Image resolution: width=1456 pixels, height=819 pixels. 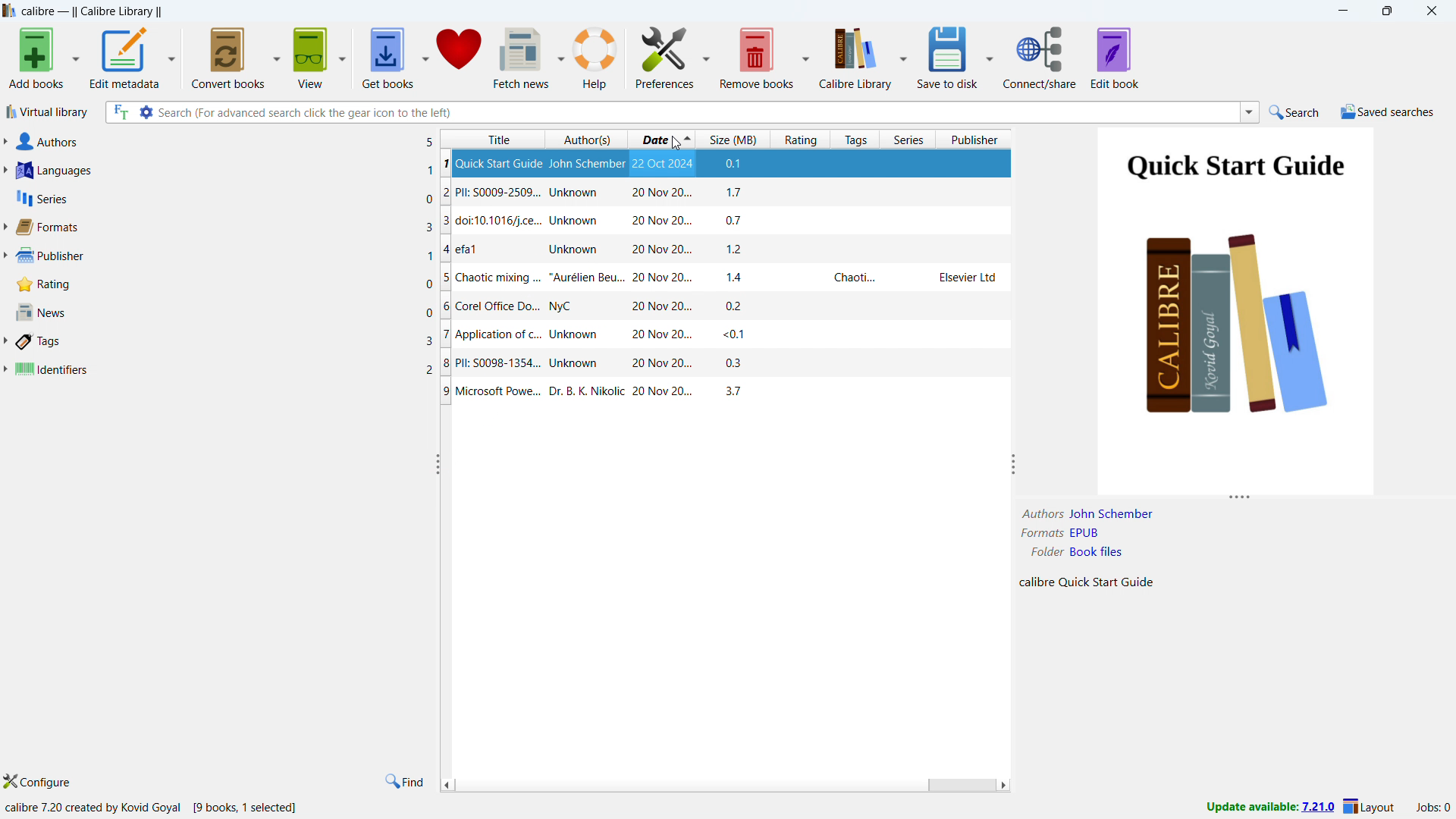 I want to click on fetch news, so click(x=522, y=57).